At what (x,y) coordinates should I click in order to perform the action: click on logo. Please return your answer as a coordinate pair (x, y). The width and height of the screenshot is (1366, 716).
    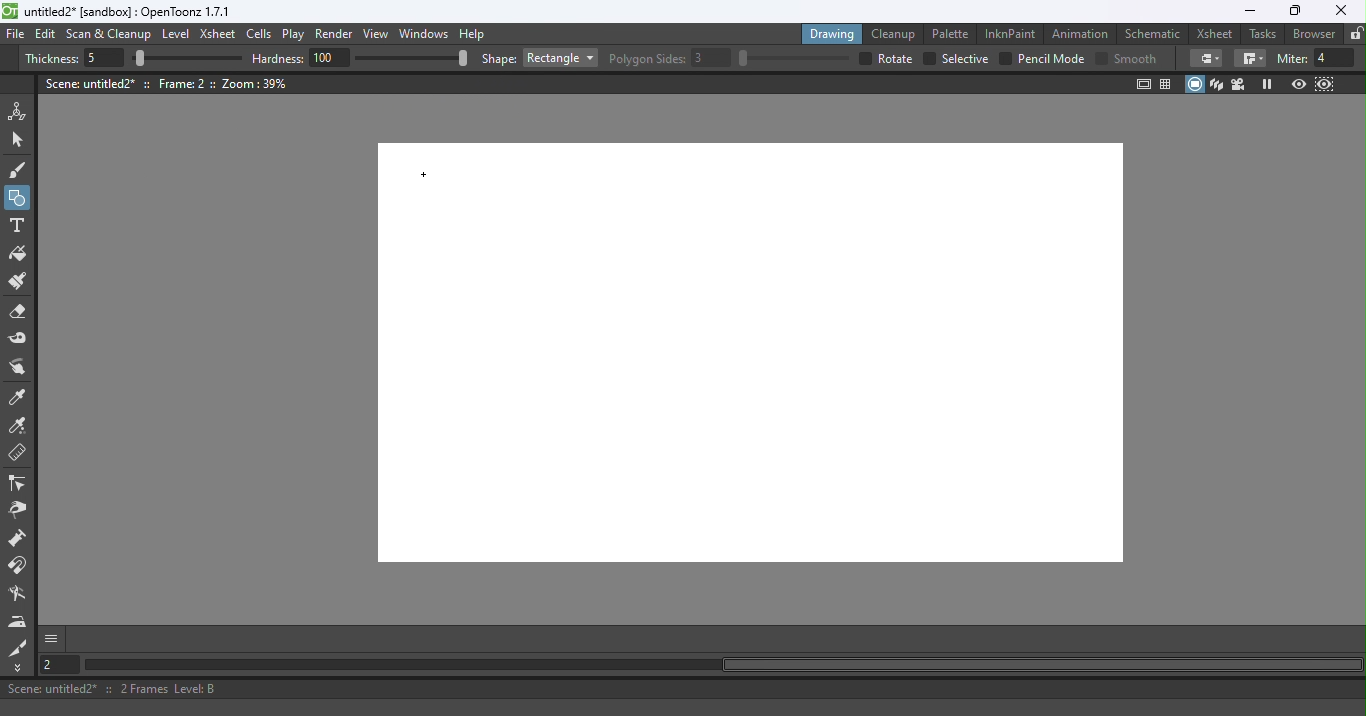
    Looking at the image, I should click on (10, 11).